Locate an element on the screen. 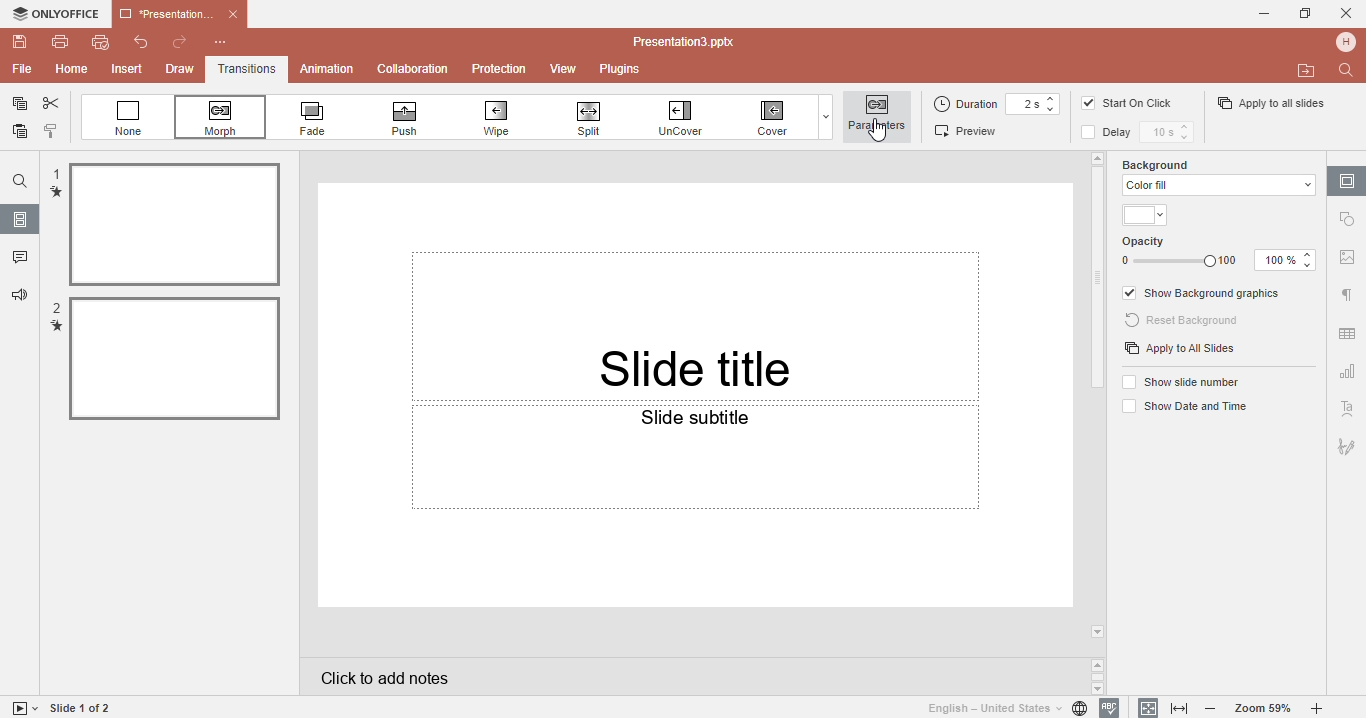 The width and height of the screenshot is (1366, 718). Scroll bar is located at coordinates (1099, 281).